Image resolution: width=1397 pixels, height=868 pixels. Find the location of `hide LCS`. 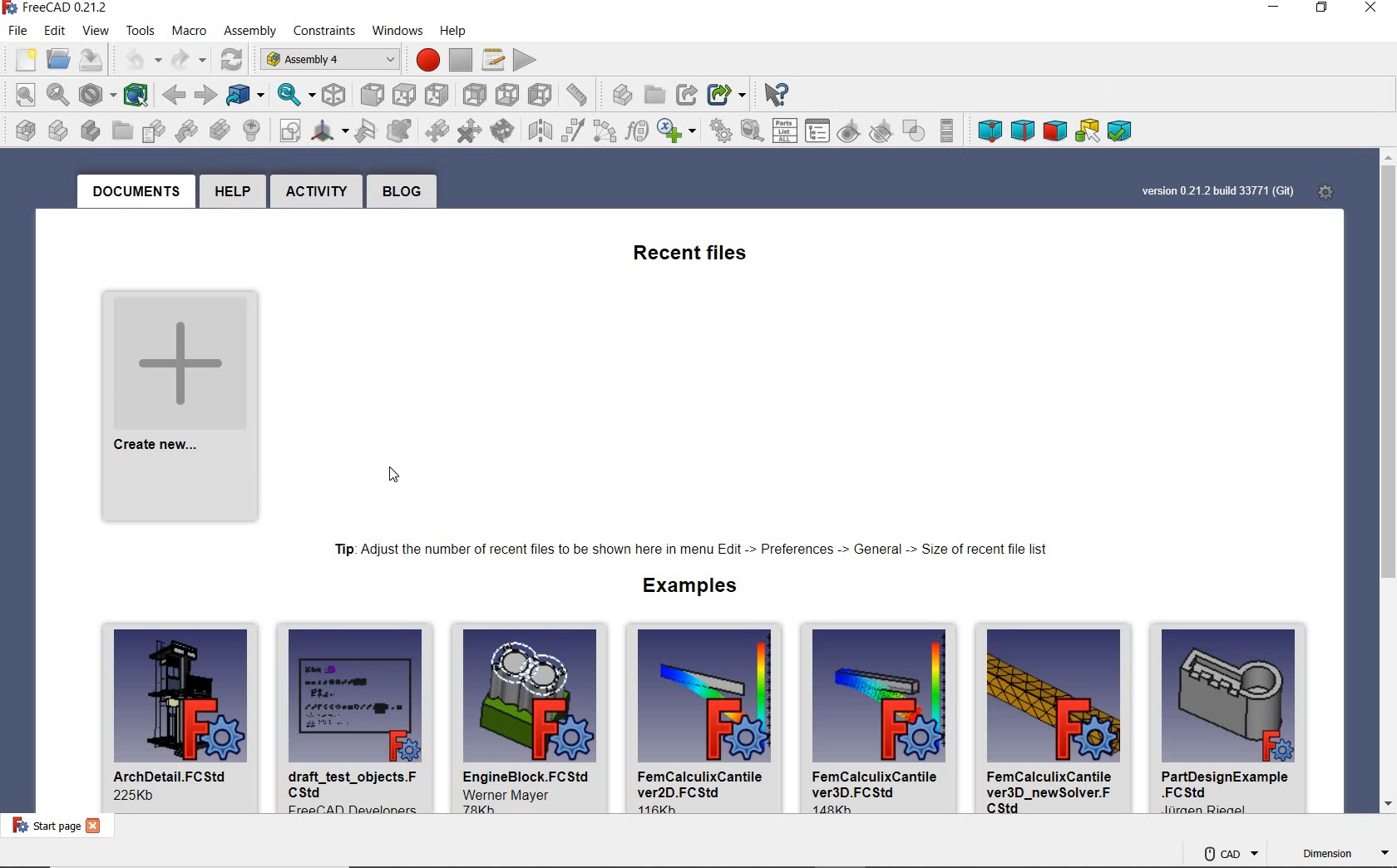

hide LCS is located at coordinates (881, 128).